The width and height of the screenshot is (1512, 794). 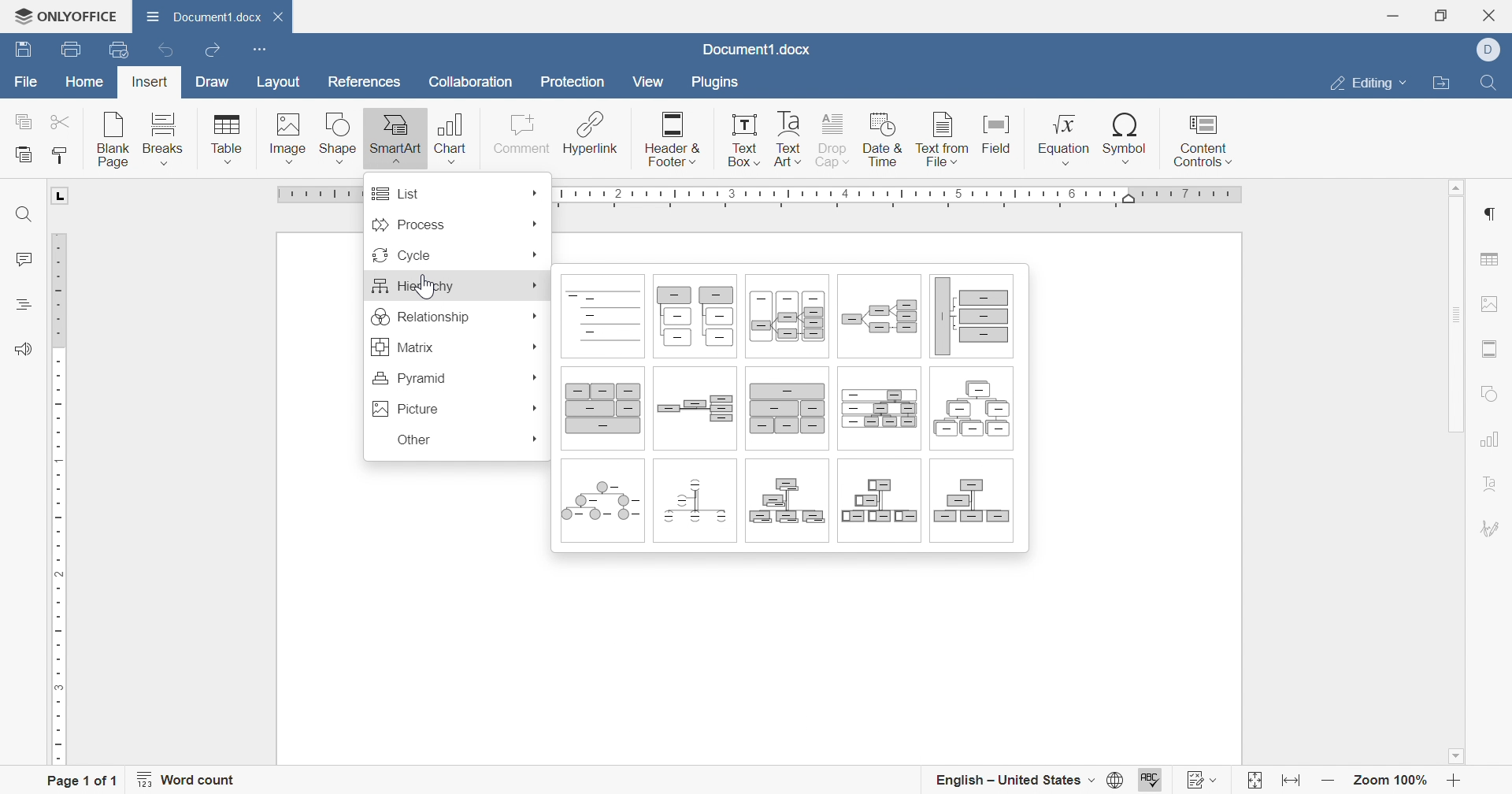 What do you see at coordinates (1392, 778) in the screenshot?
I see `Zoom 100%` at bounding box center [1392, 778].